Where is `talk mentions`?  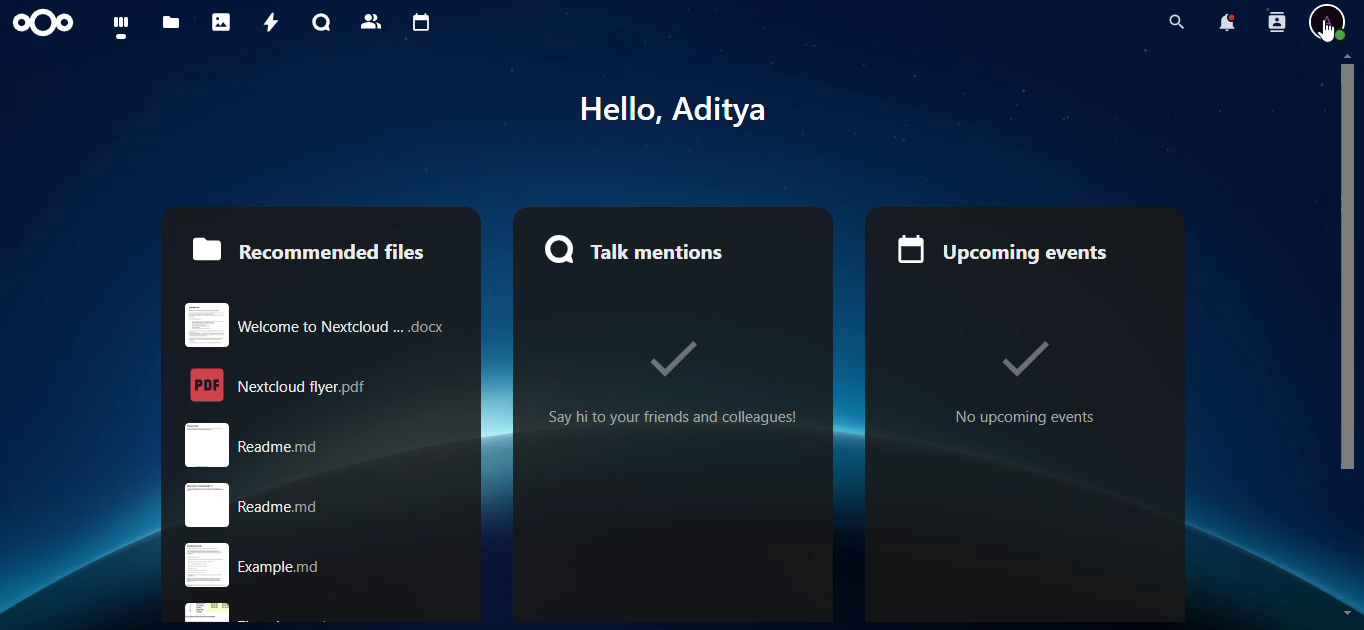 talk mentions is located at coordinates (640, 249).